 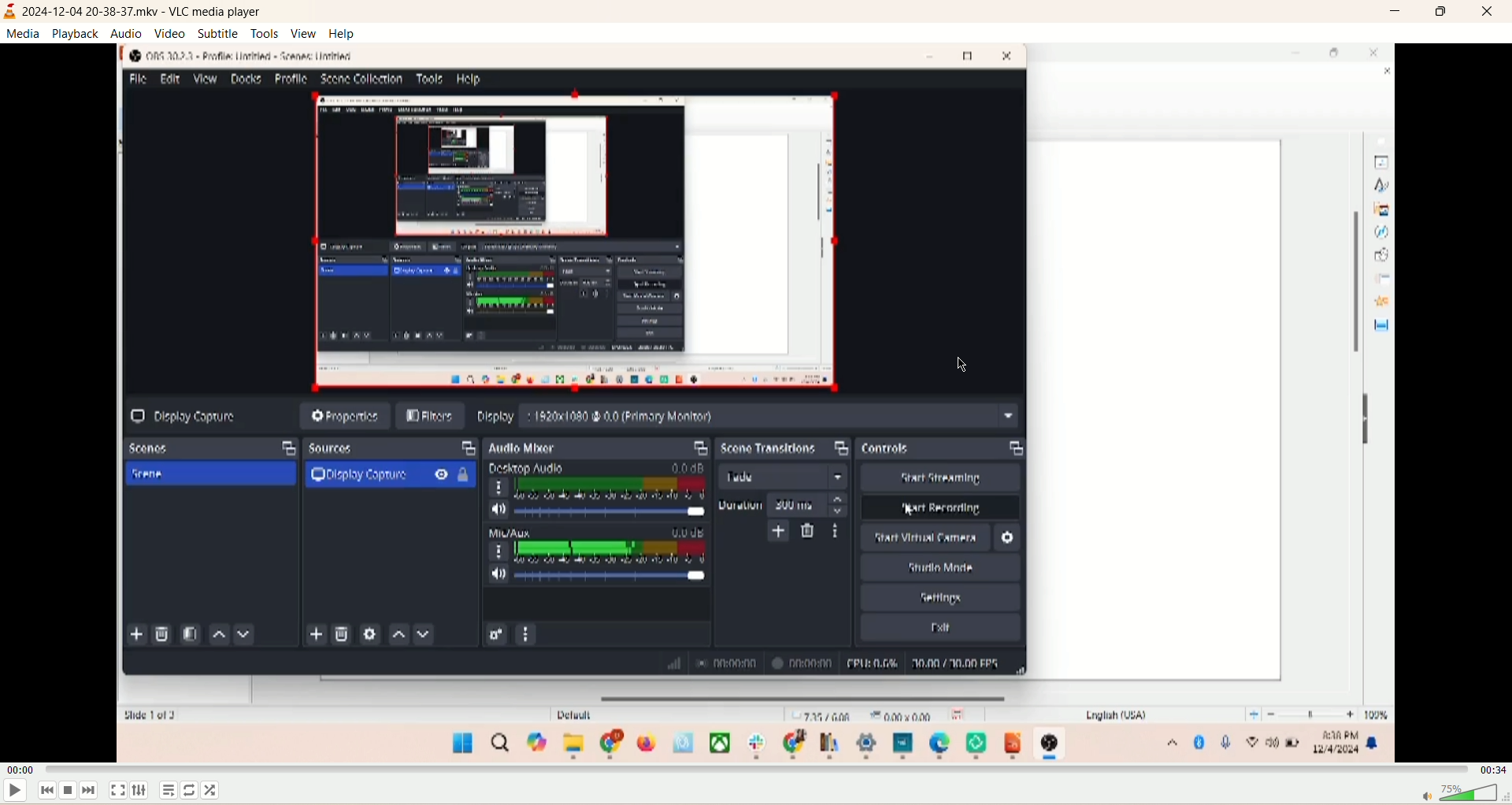 I want to click on stop, so click(x=70, y=793).